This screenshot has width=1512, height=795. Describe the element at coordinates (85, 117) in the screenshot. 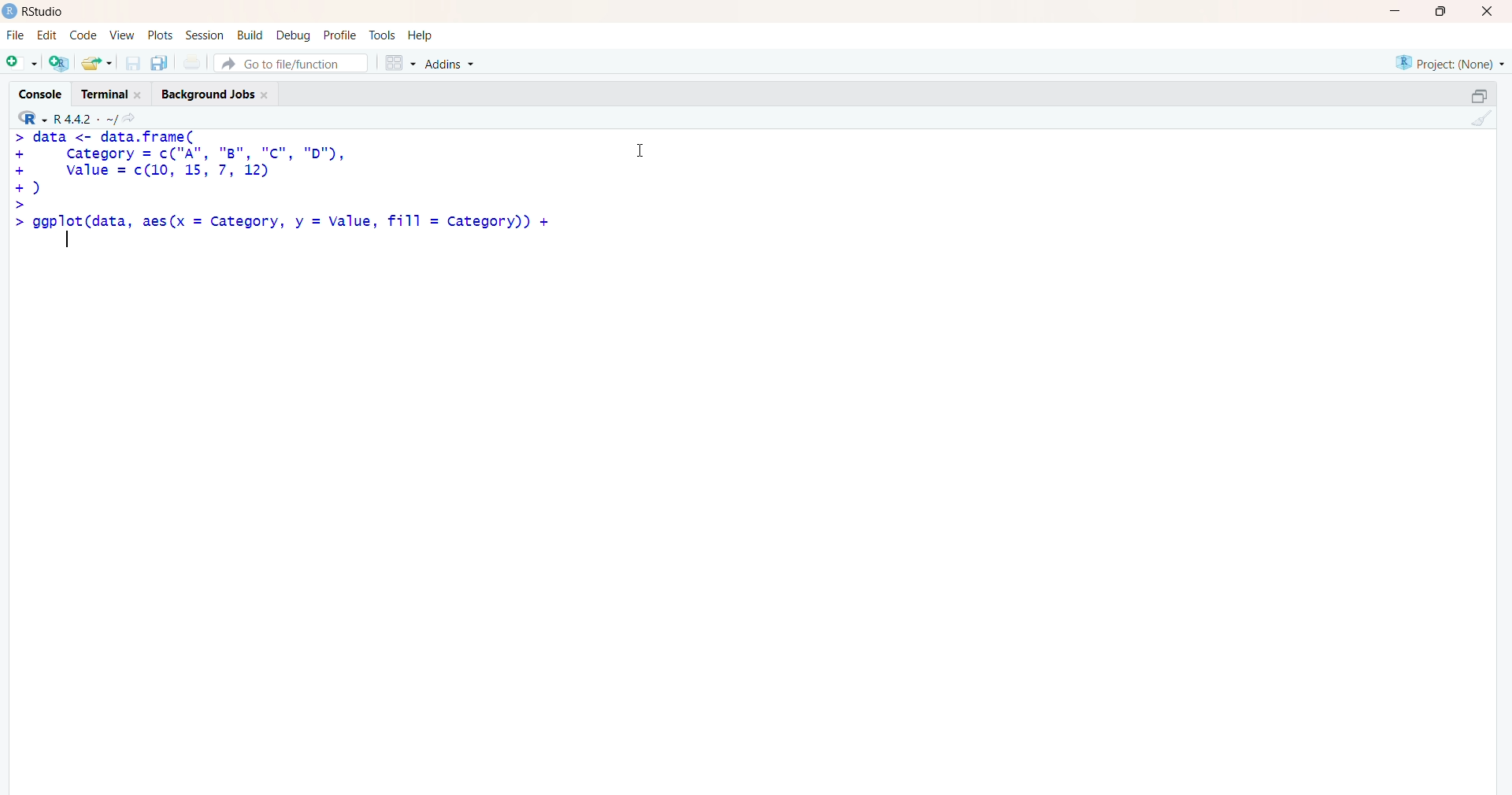

I see ` R language version - R 4.4.2` at that location.